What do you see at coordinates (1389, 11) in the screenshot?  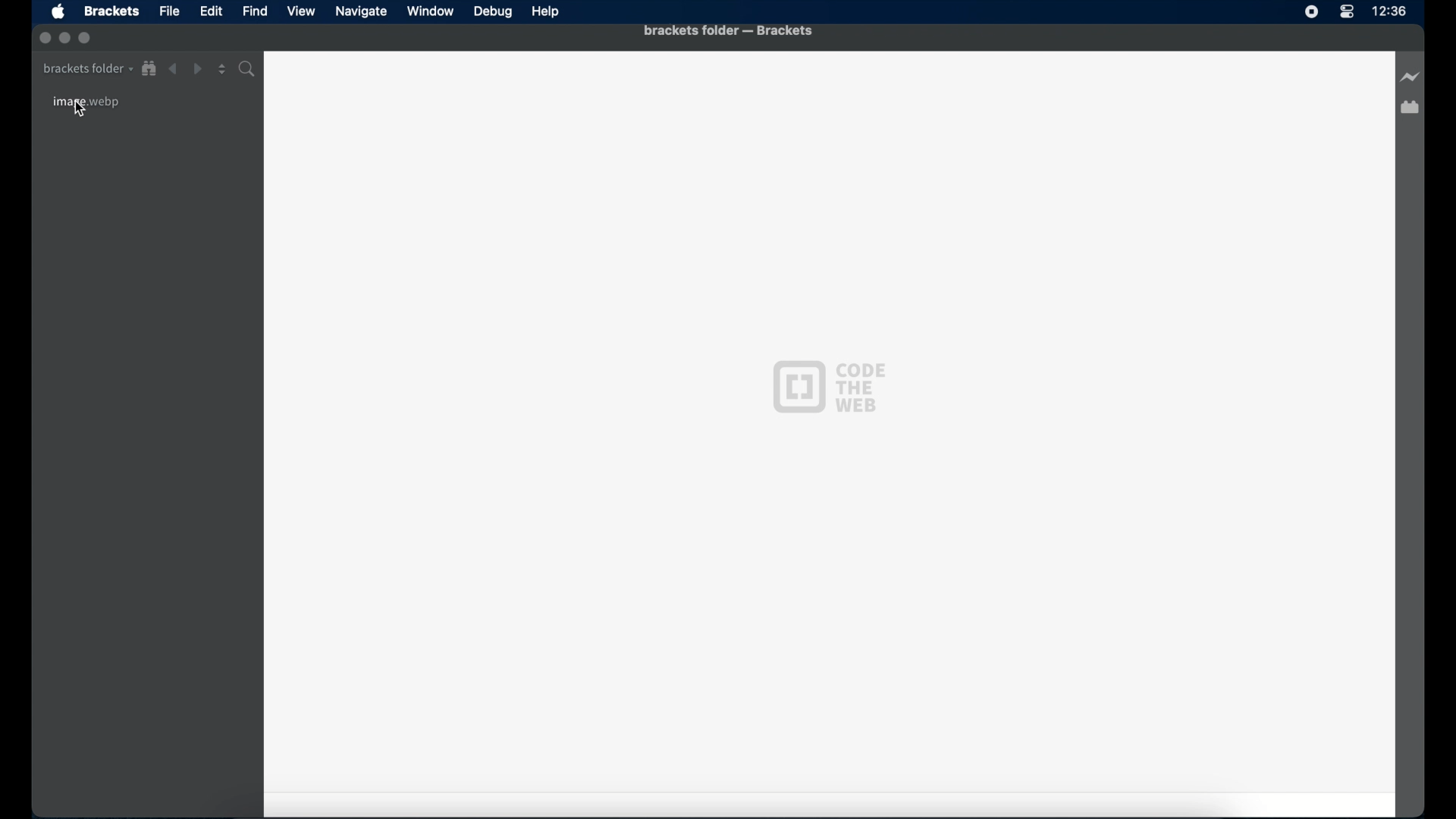 I see `time` at bounding box center [1389, 11].